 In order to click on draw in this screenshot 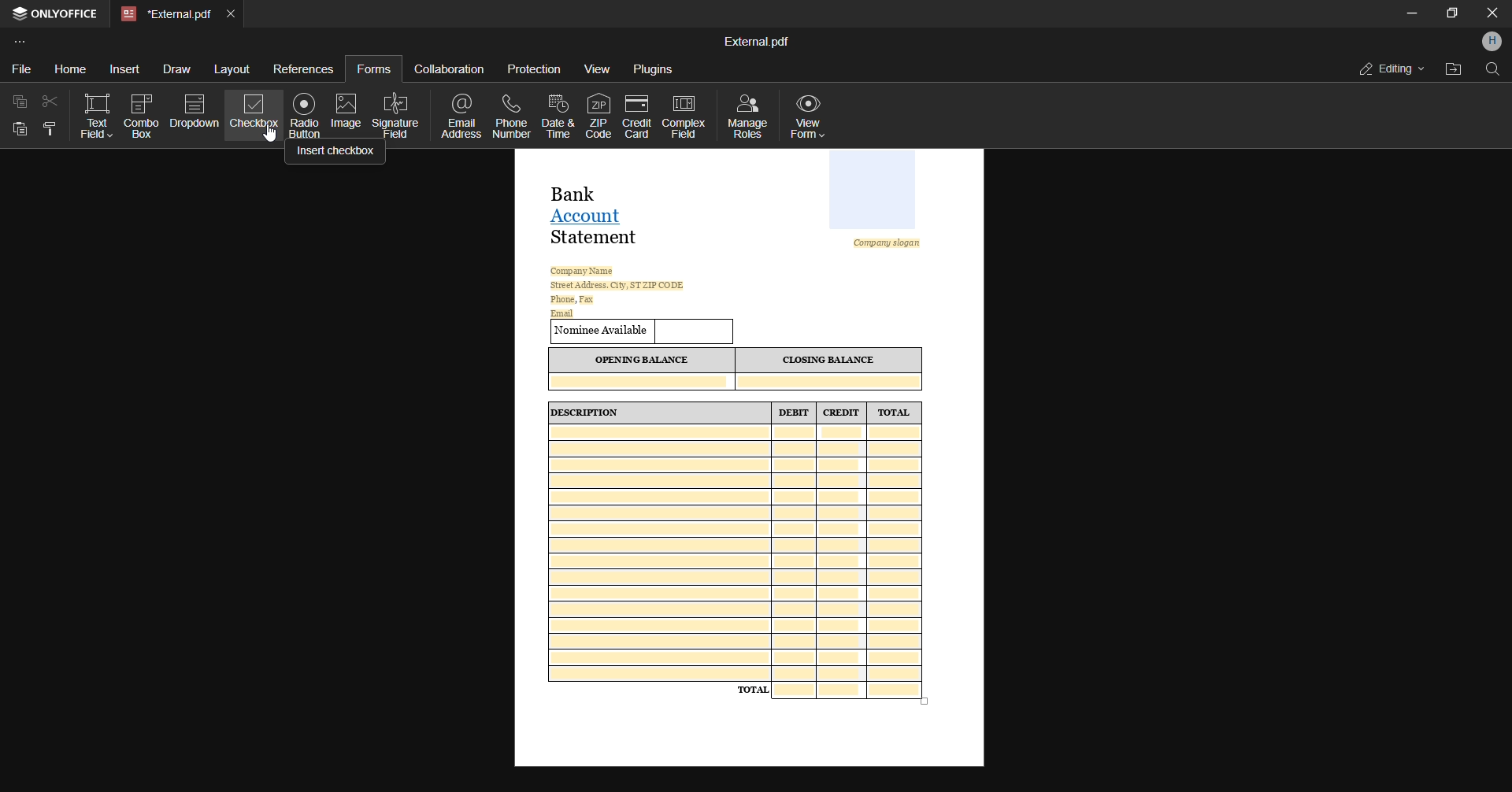, I will do `click(172, 71)`.